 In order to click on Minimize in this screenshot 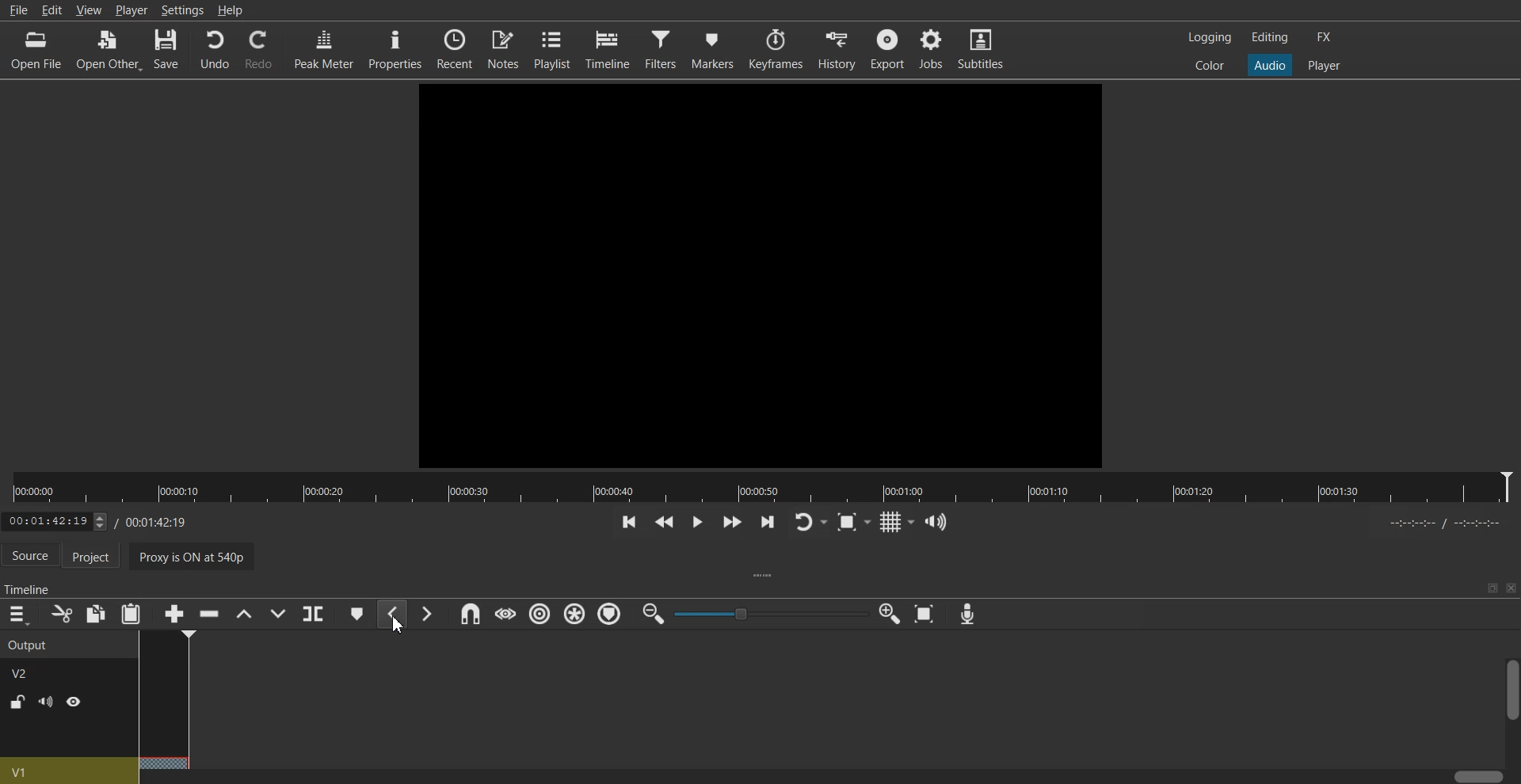, I will do `click(1492, 588)`.